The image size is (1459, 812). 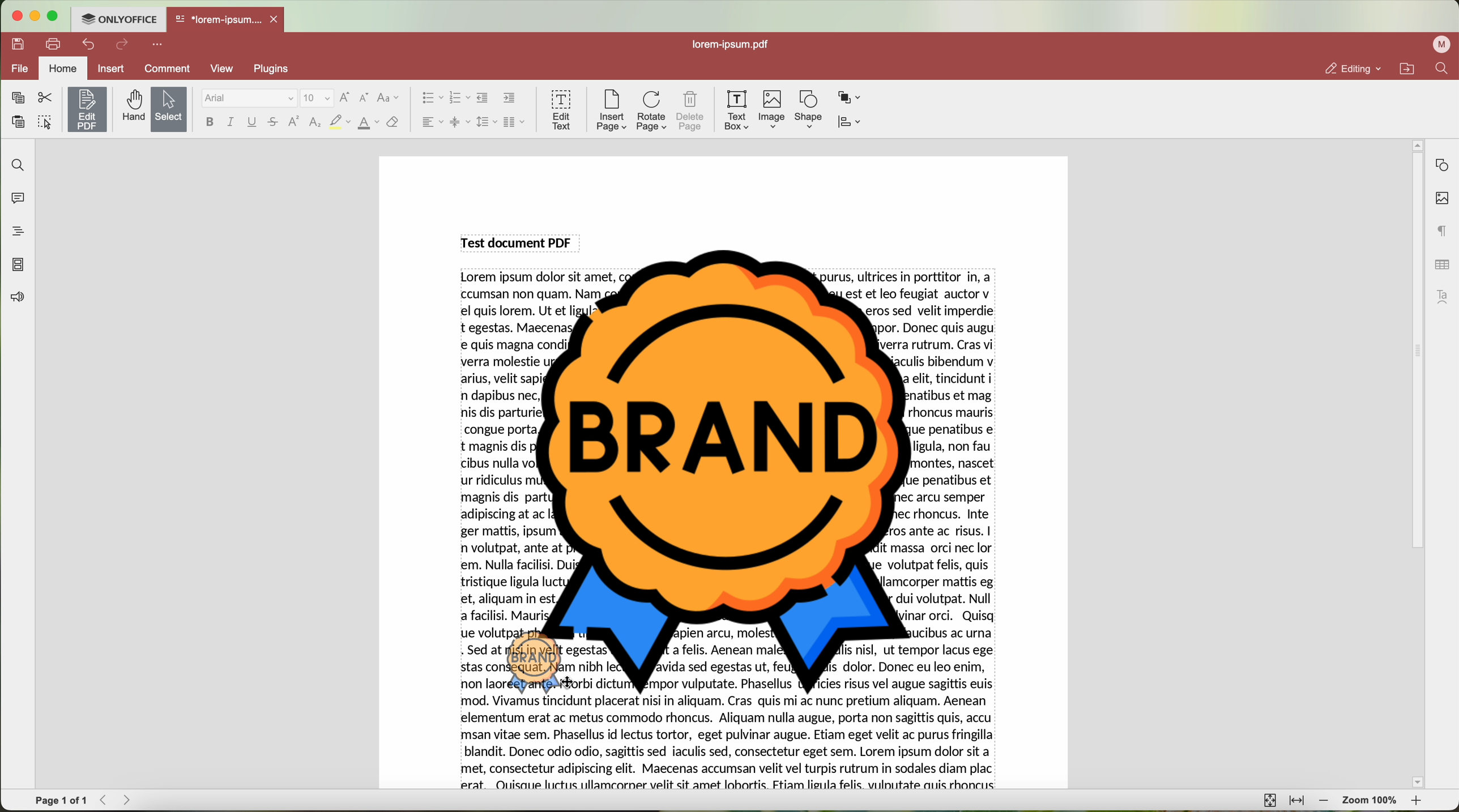 I want to click on editing, so click(x=1352, y=69).